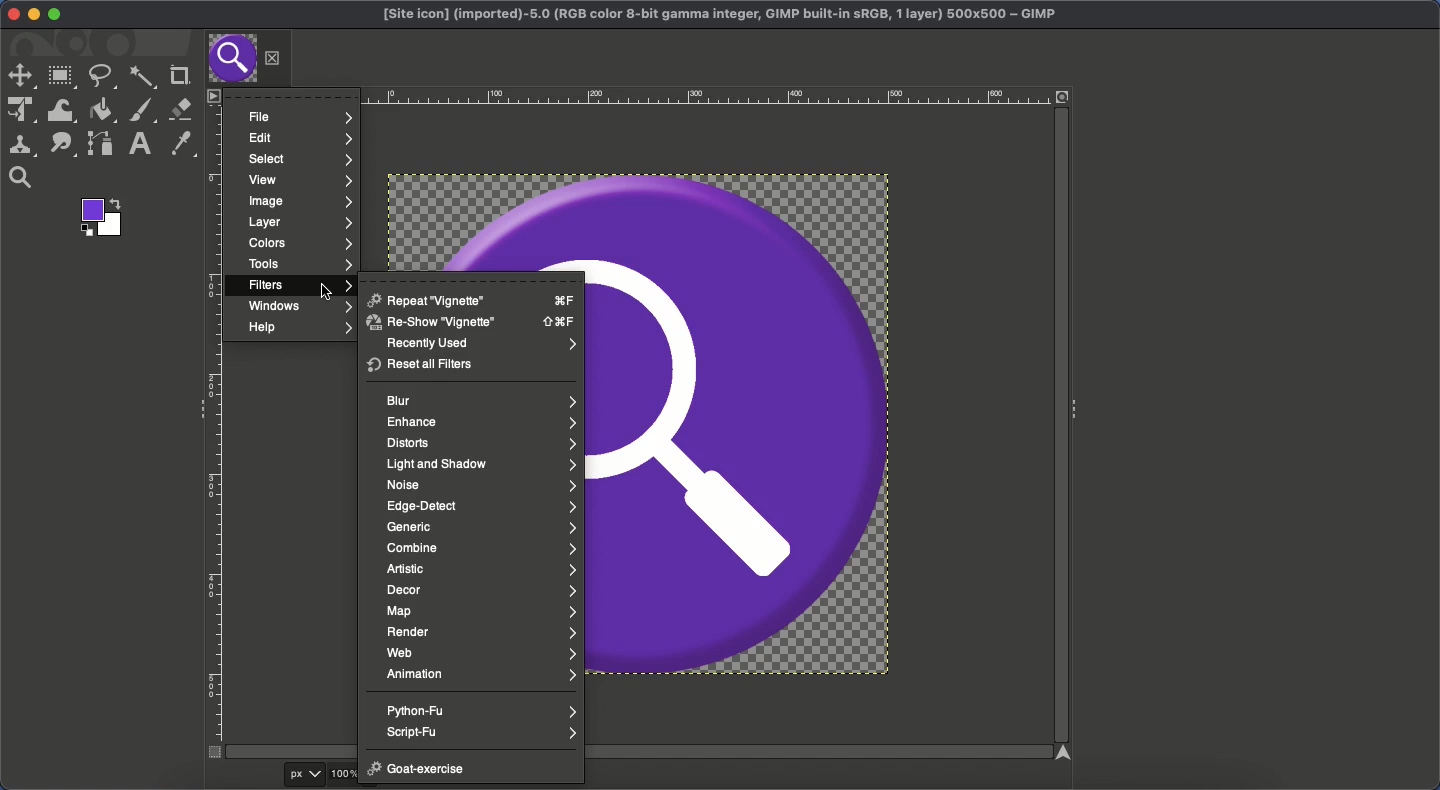 The image size is (1440, 790). I want to click on Edge detect, so click(482, 506).